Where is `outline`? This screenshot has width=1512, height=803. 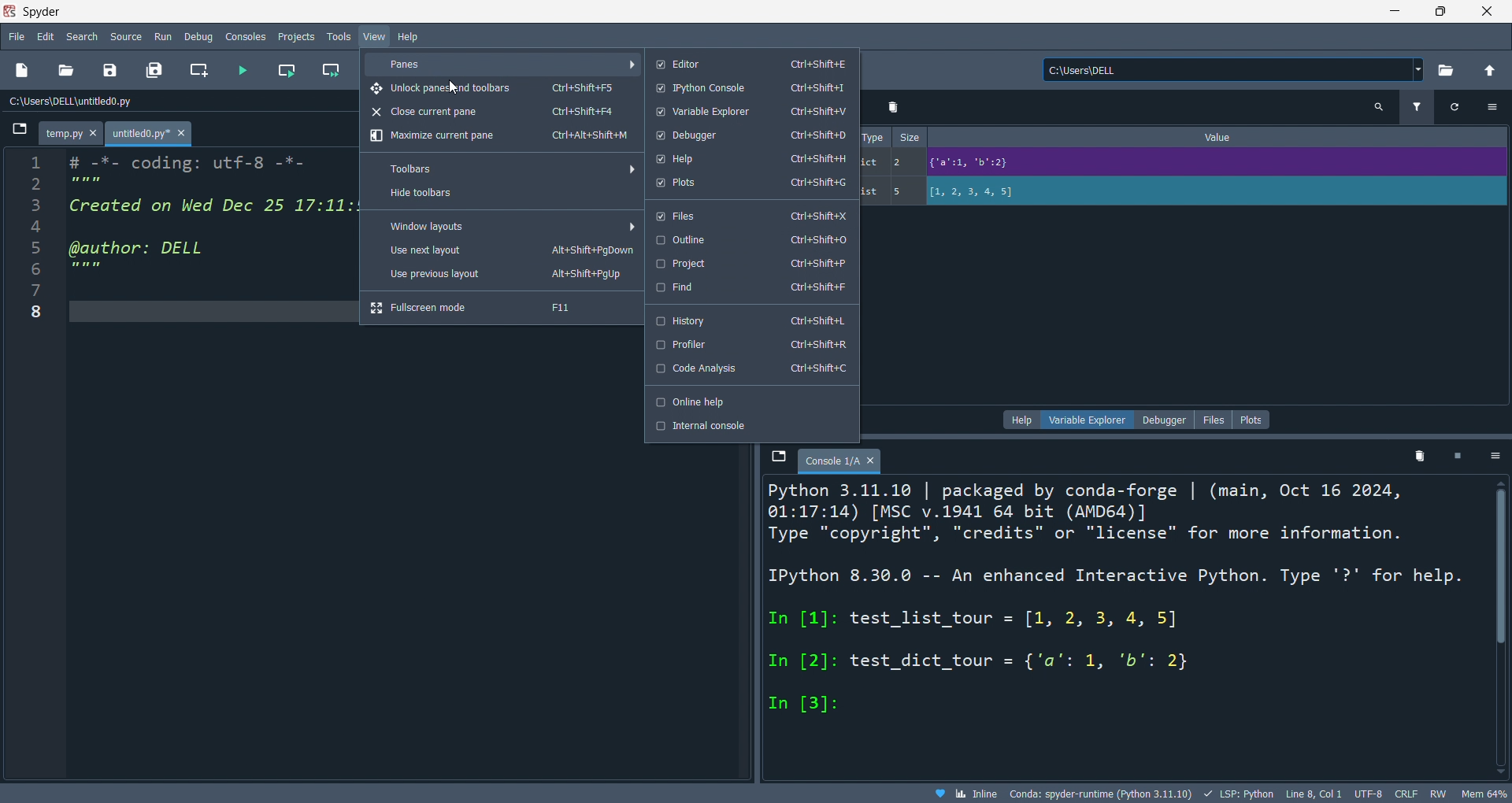
outline is located at coordinates (750, 240).